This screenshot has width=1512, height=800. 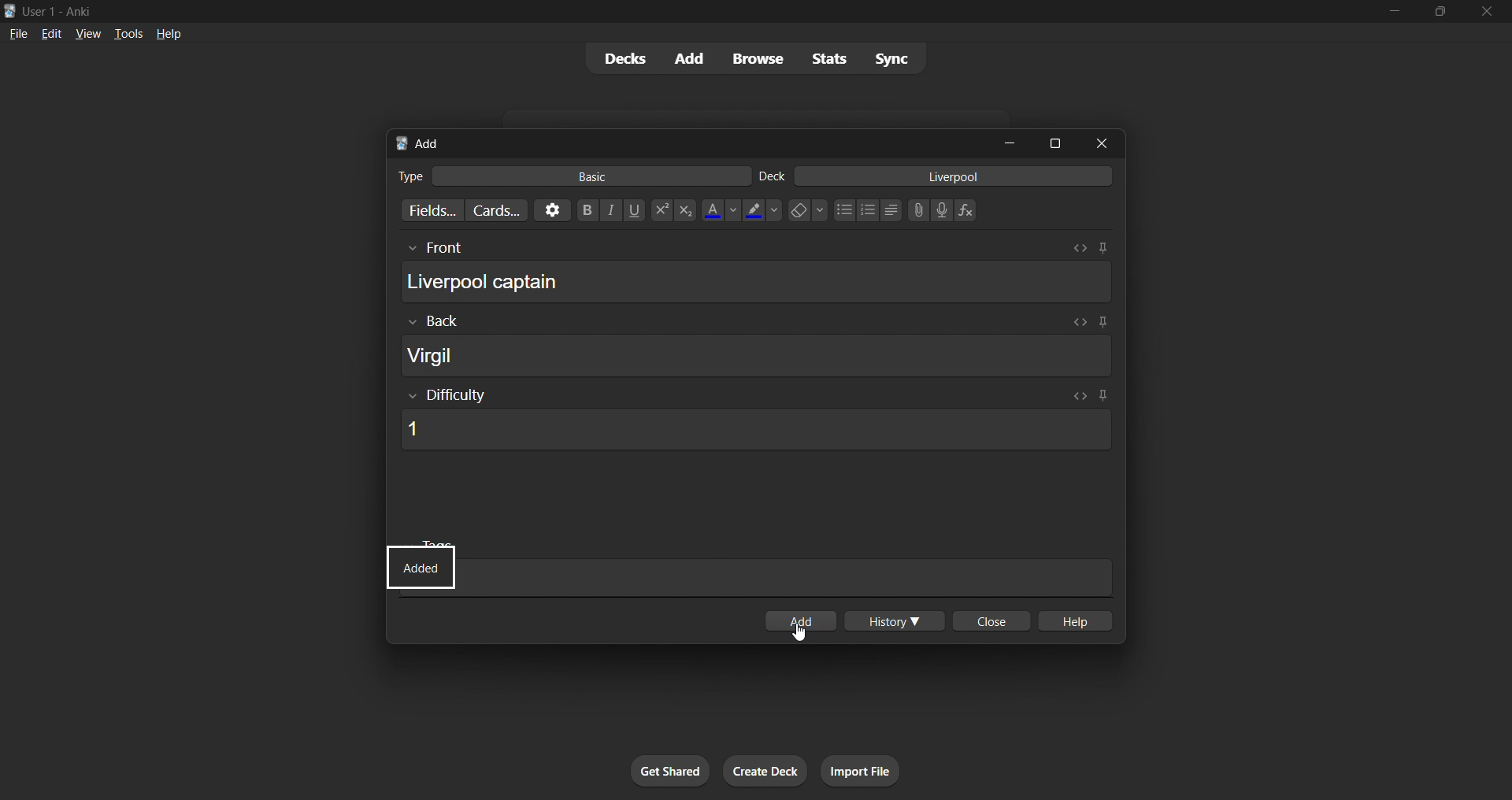 I want to click on stats, so click(x=828, y=58).